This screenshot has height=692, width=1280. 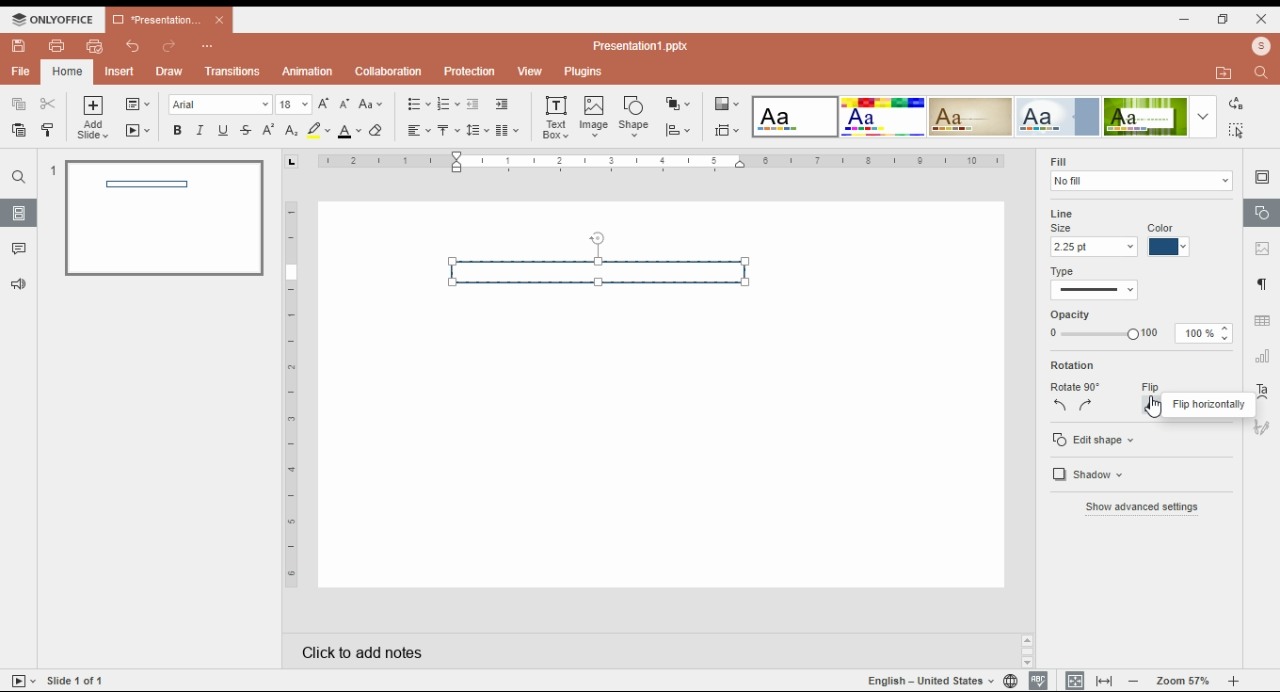 I want to click on flip horizontally, so click(x=1205, y=404).